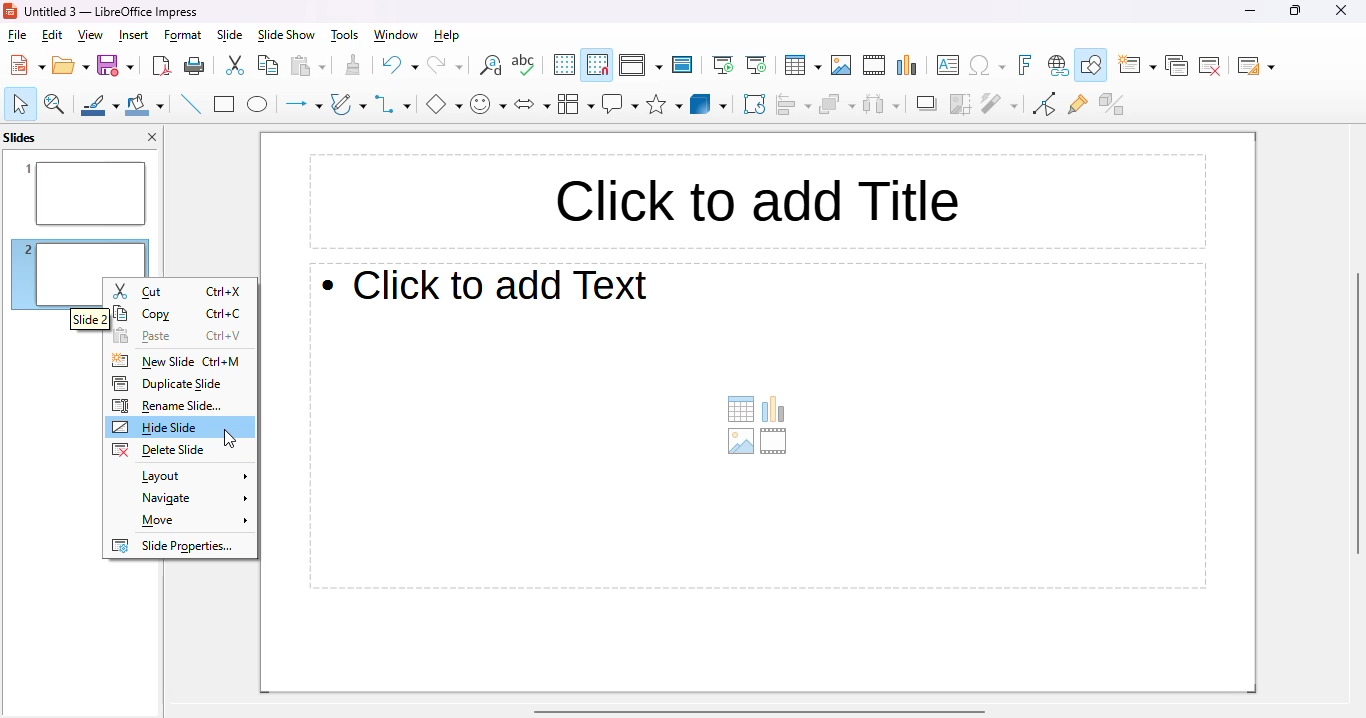 Image resolution: width=1366 pixels, height=718 pixels. What do you see at coordinates (399, 66) in the screenshot?
I see `undo` at bounding box center [399, 66].